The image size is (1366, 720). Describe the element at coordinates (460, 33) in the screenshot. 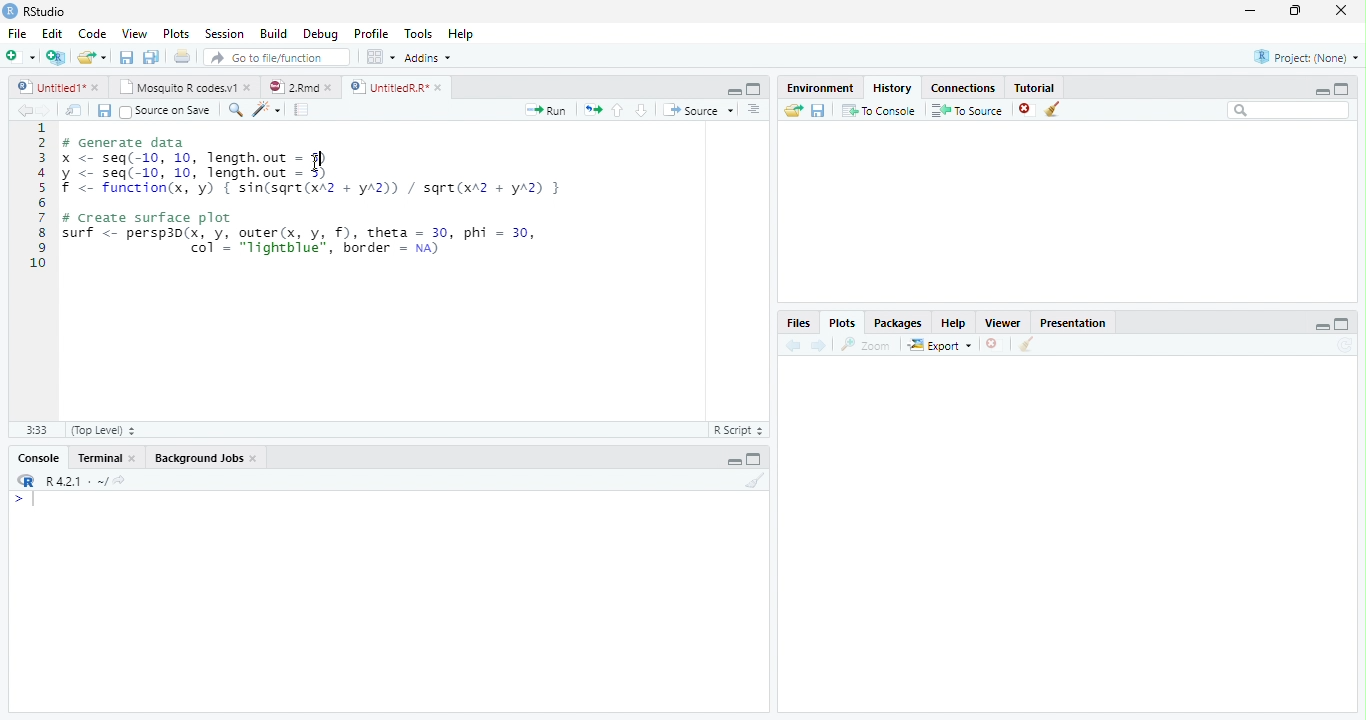

I see `Help` at that location.